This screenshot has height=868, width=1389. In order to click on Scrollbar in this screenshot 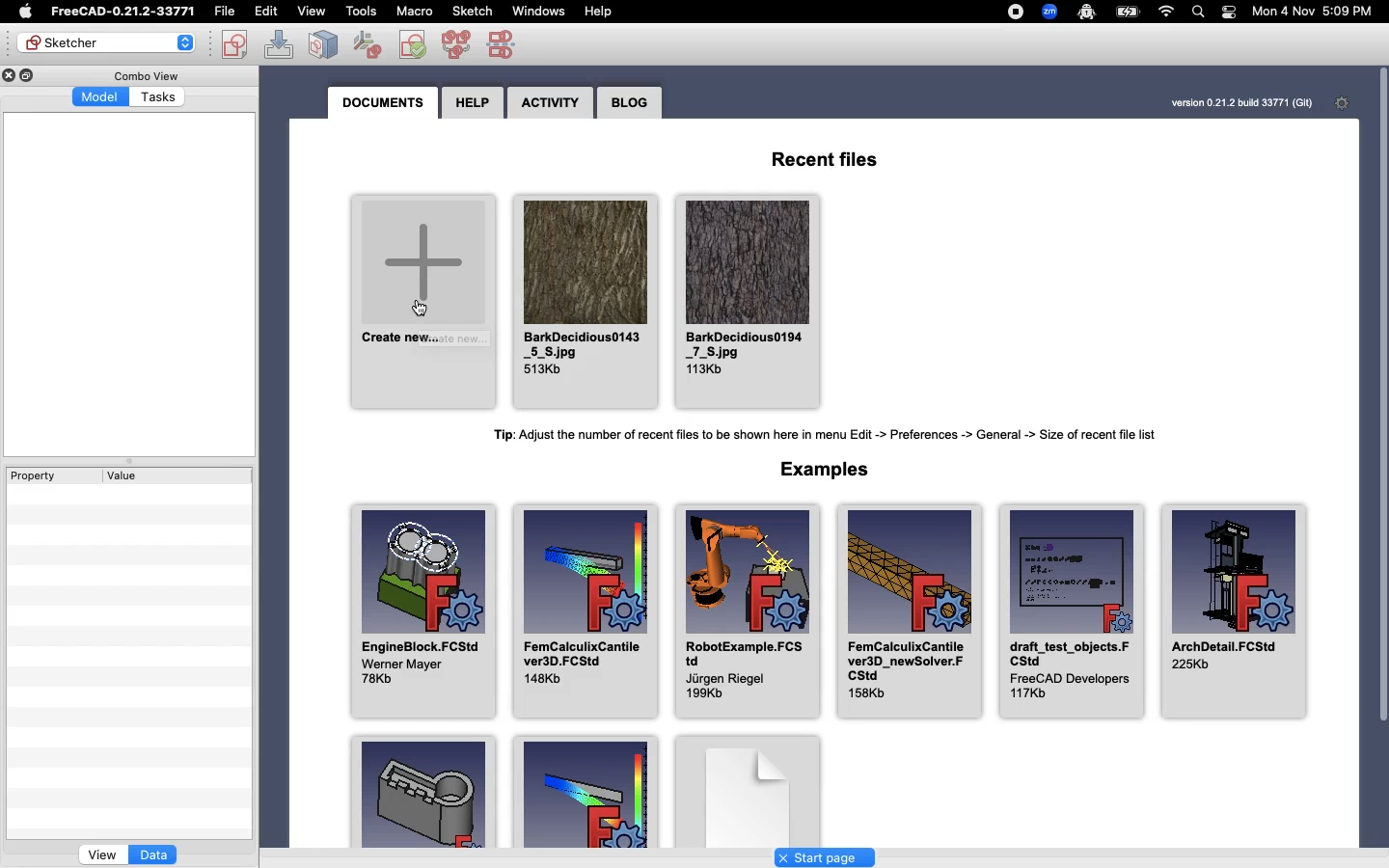, I will do `click(1382, 413)`.